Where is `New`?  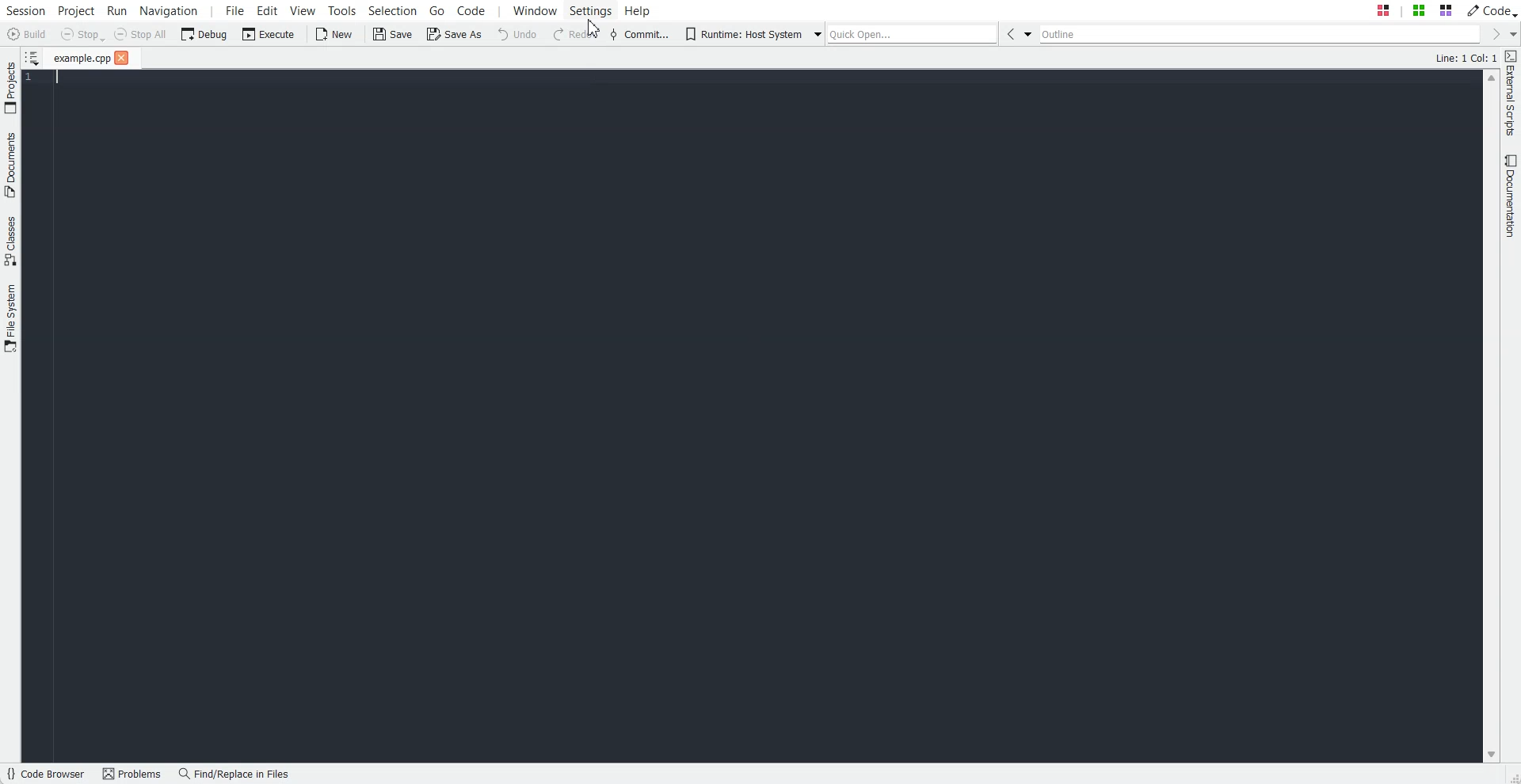
New is located at coordinates (337, 34).